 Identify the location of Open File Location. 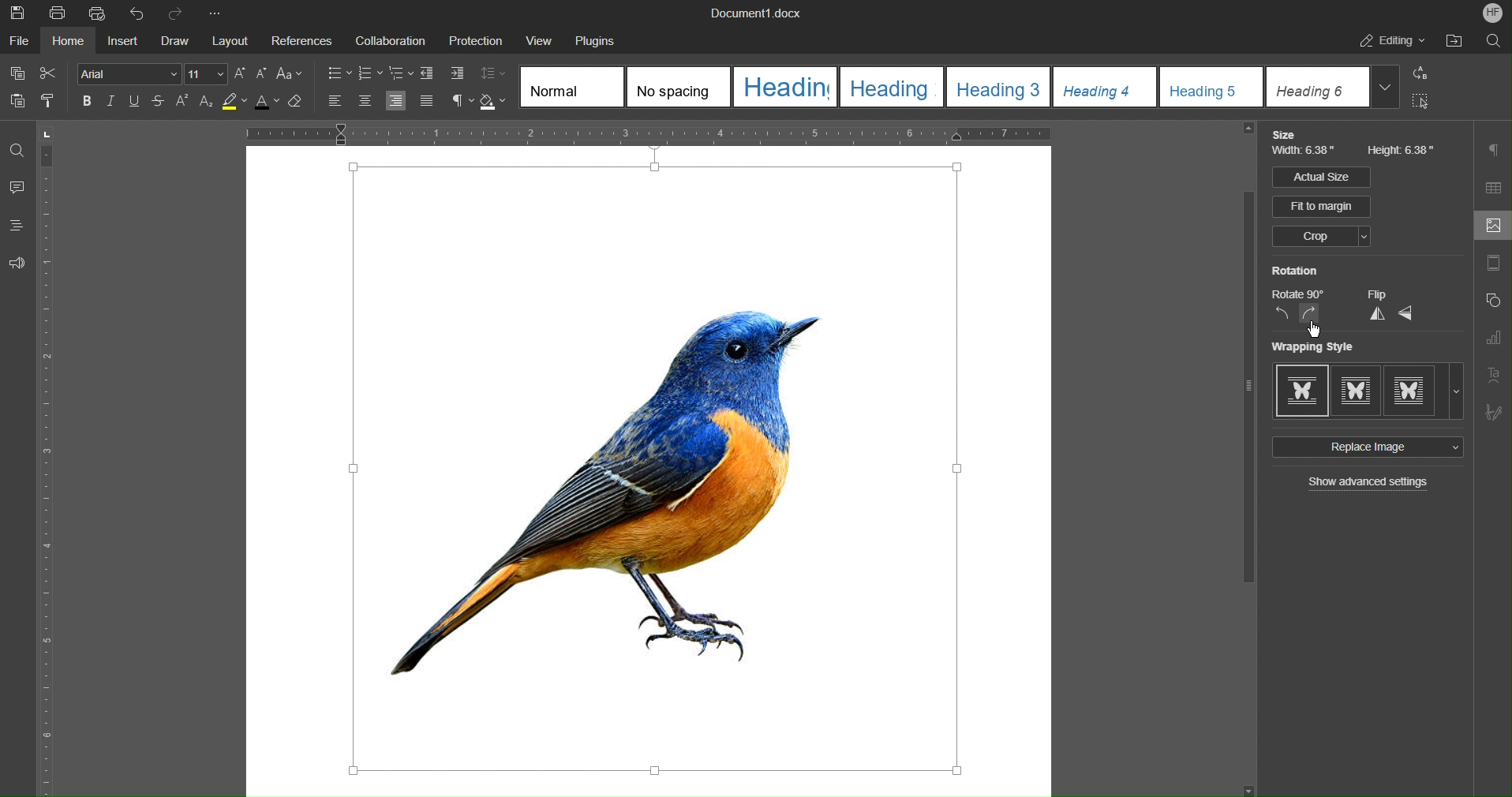
(1454, 42).